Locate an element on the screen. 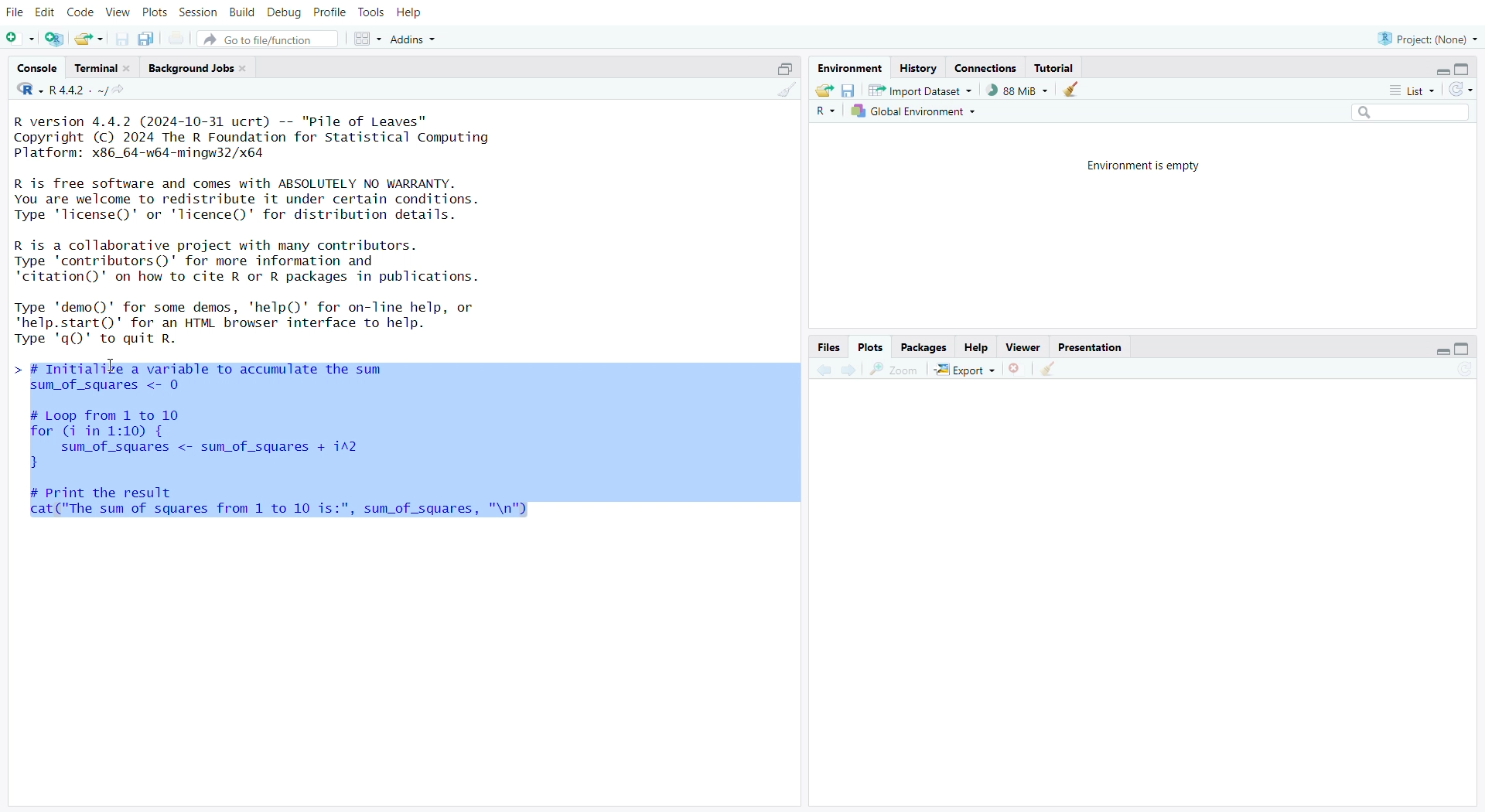 This screenshot has width=1485, height=812. R version 4.4.2 (2024-10-31 ucrt) -- "Pile of Leaves"
Copyright (C) 2024 The R Foundation for Statistical Computing
Platform: x86_64-w64-mingw32/x64 is located at coordinates (267, 138).